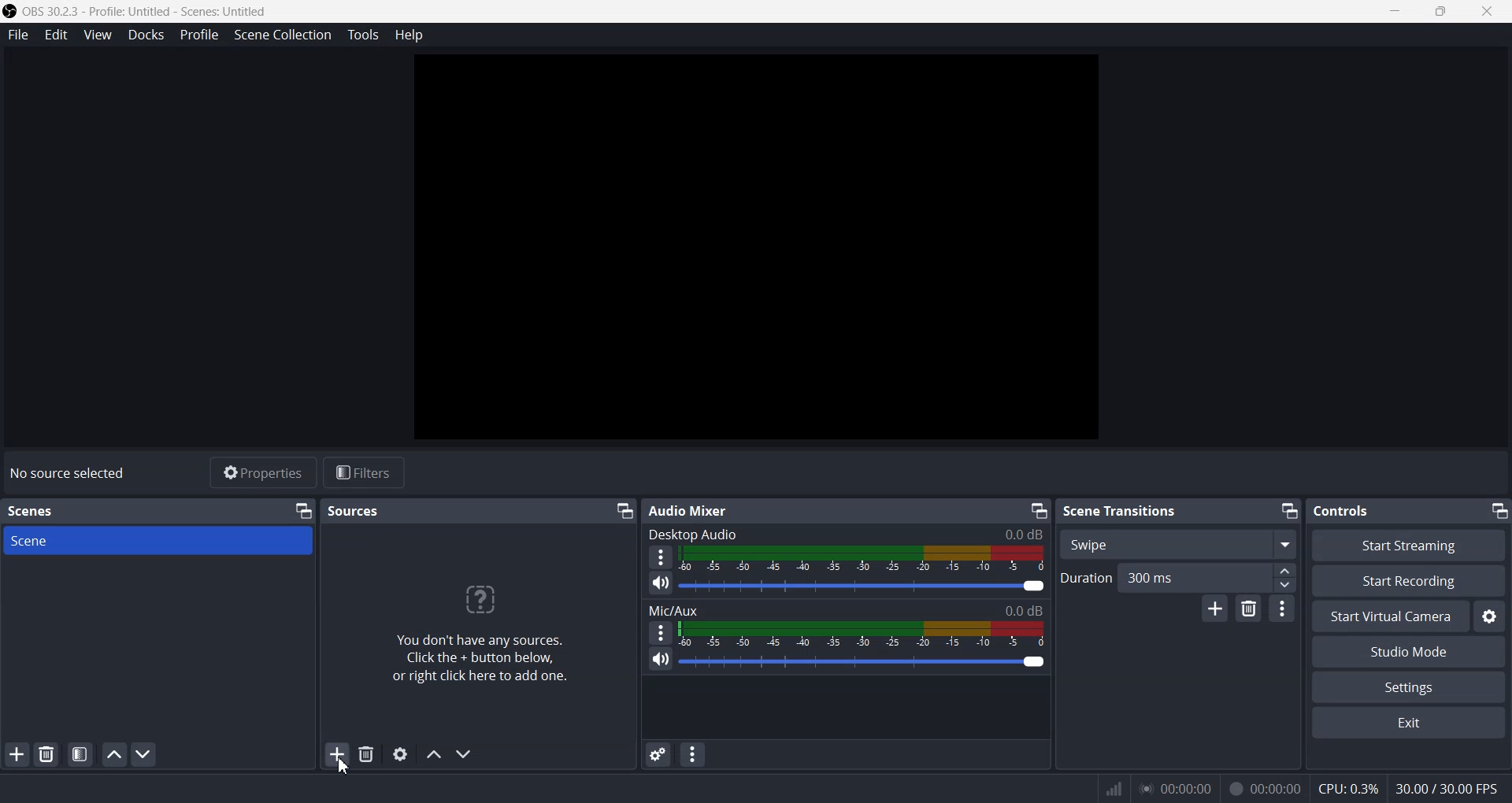  I want to click on Volume Adjuster, so click(863, 586).